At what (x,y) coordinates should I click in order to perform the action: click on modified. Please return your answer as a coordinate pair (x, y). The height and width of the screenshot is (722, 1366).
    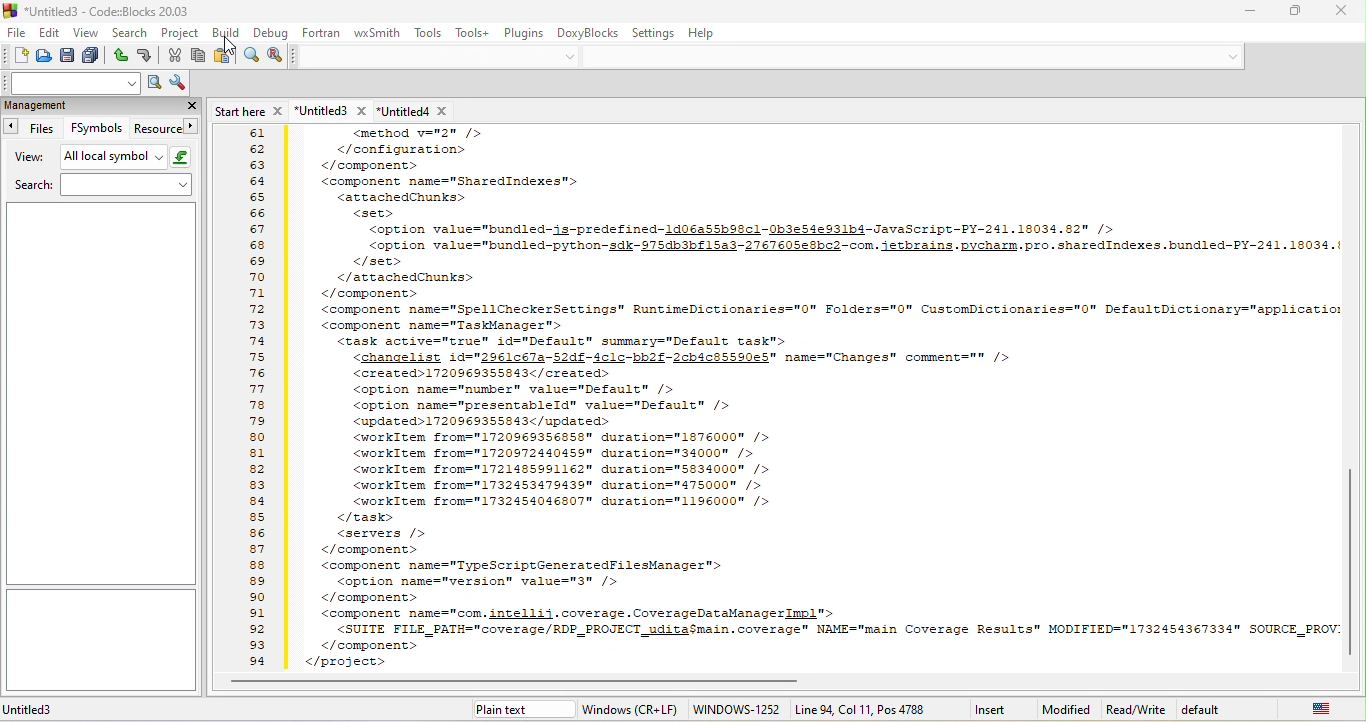
    Looking at the image, I should click on (1063, 710).